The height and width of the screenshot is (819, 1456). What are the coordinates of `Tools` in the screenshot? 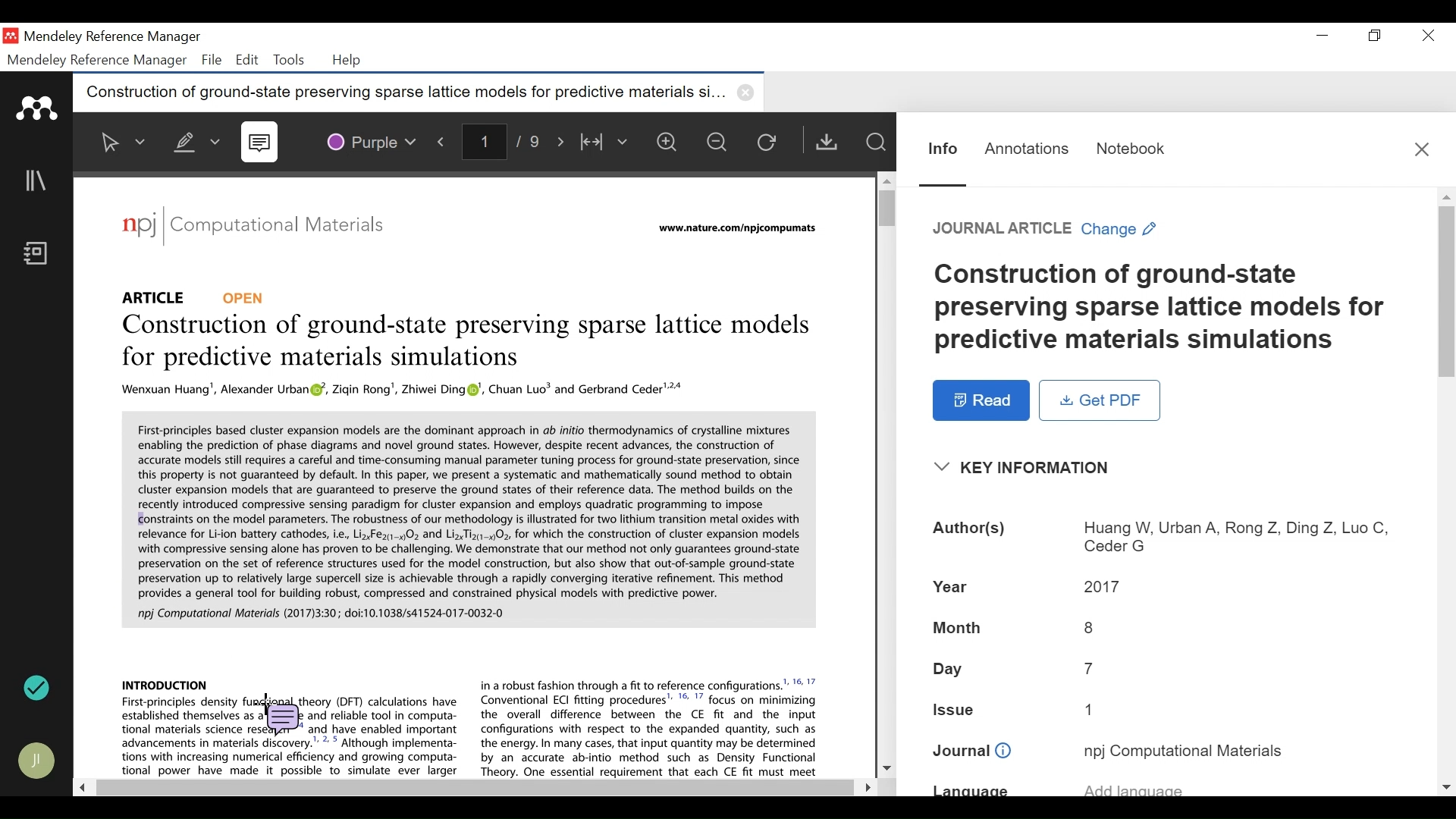 It's located at (288, 60).